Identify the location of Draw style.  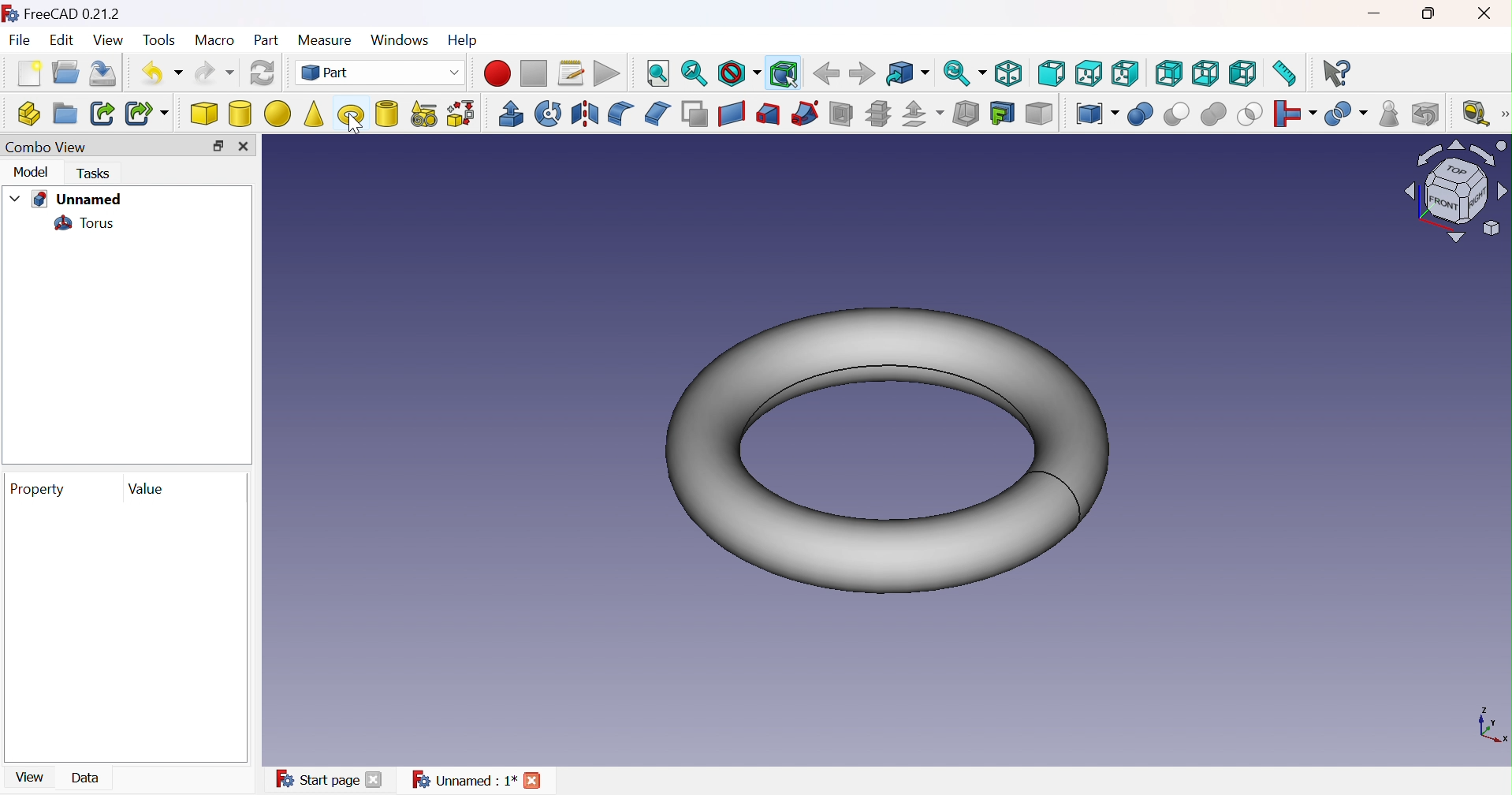
(738, 73).